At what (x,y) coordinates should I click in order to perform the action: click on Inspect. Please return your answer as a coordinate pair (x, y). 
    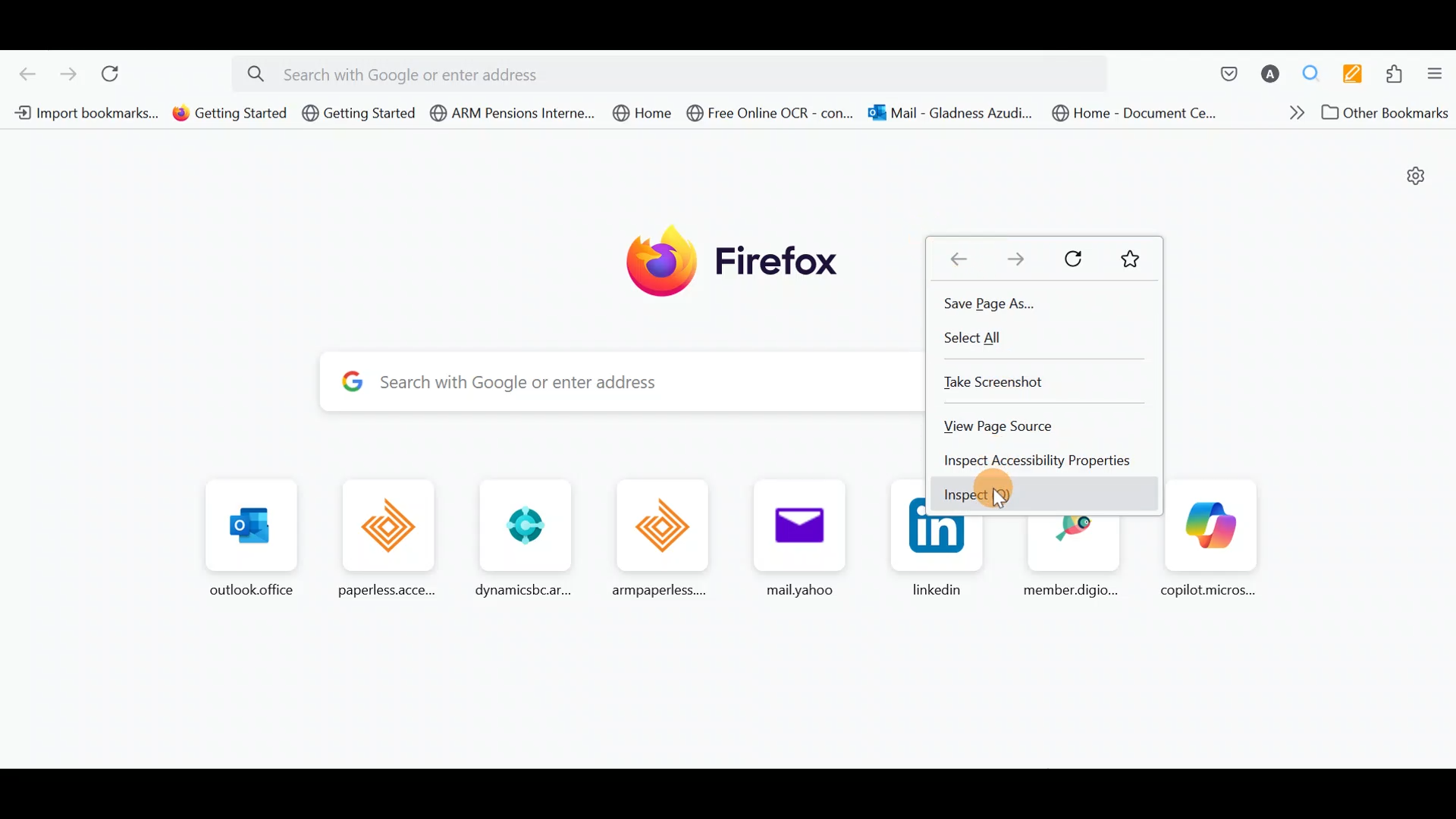
    Looking at the image, I should click on (977, 498).